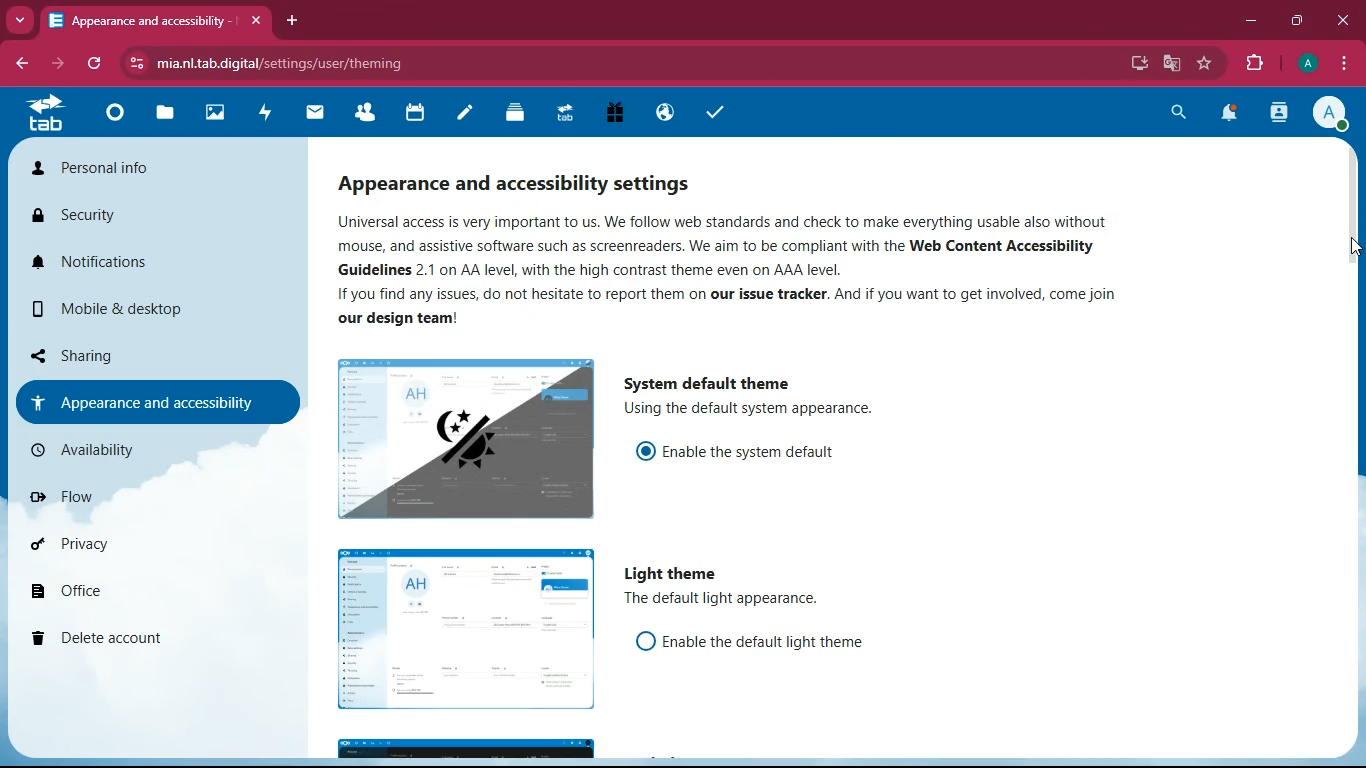 Image resolution: width=1366 pixels, height=768 pixels. Describe the element at coordinates (1251, 24) in the screenshot. I see `minimize` at that location.